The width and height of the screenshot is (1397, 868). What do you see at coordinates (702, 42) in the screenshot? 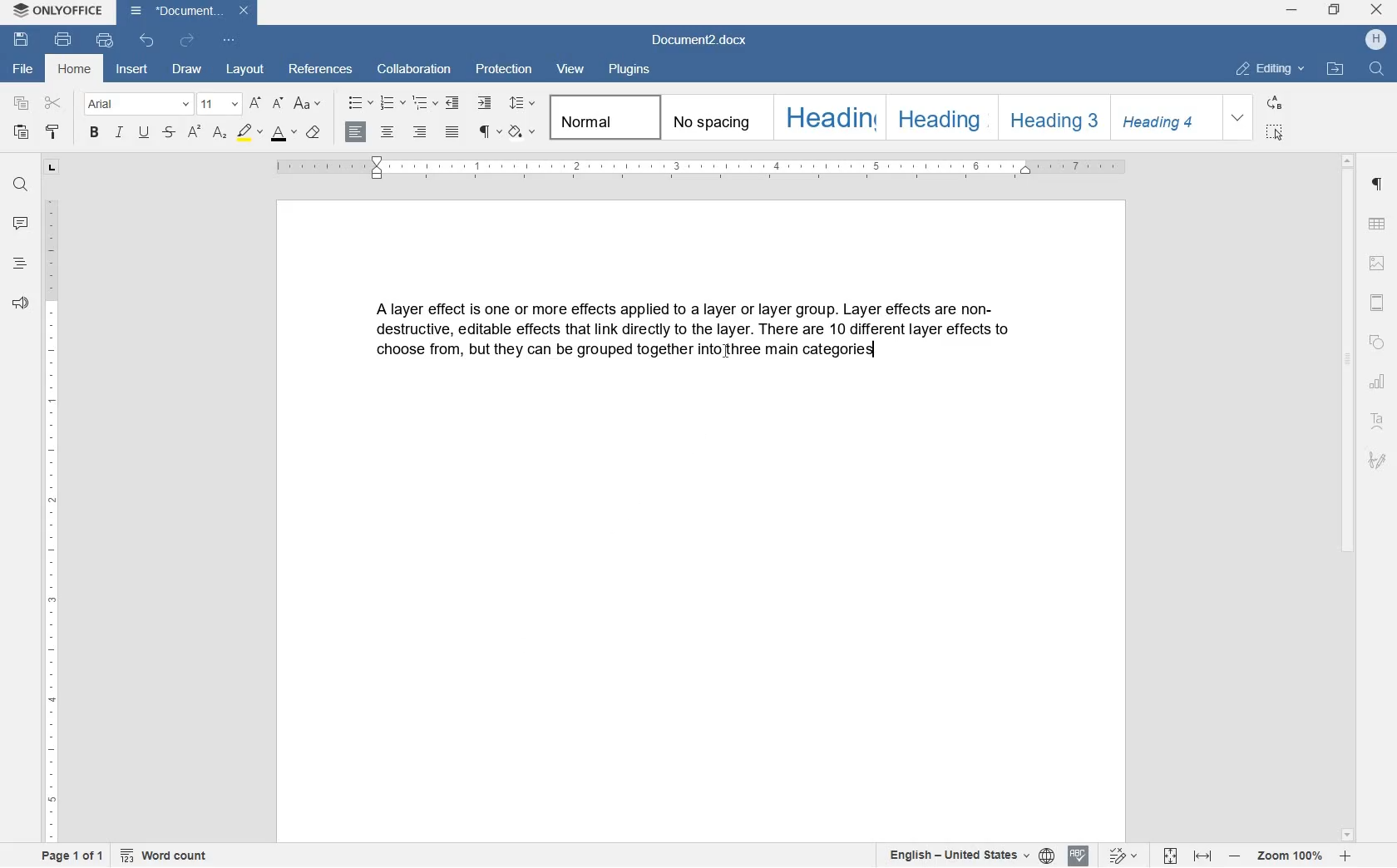
I see `document2.docx` at bounding box center [702, 42].